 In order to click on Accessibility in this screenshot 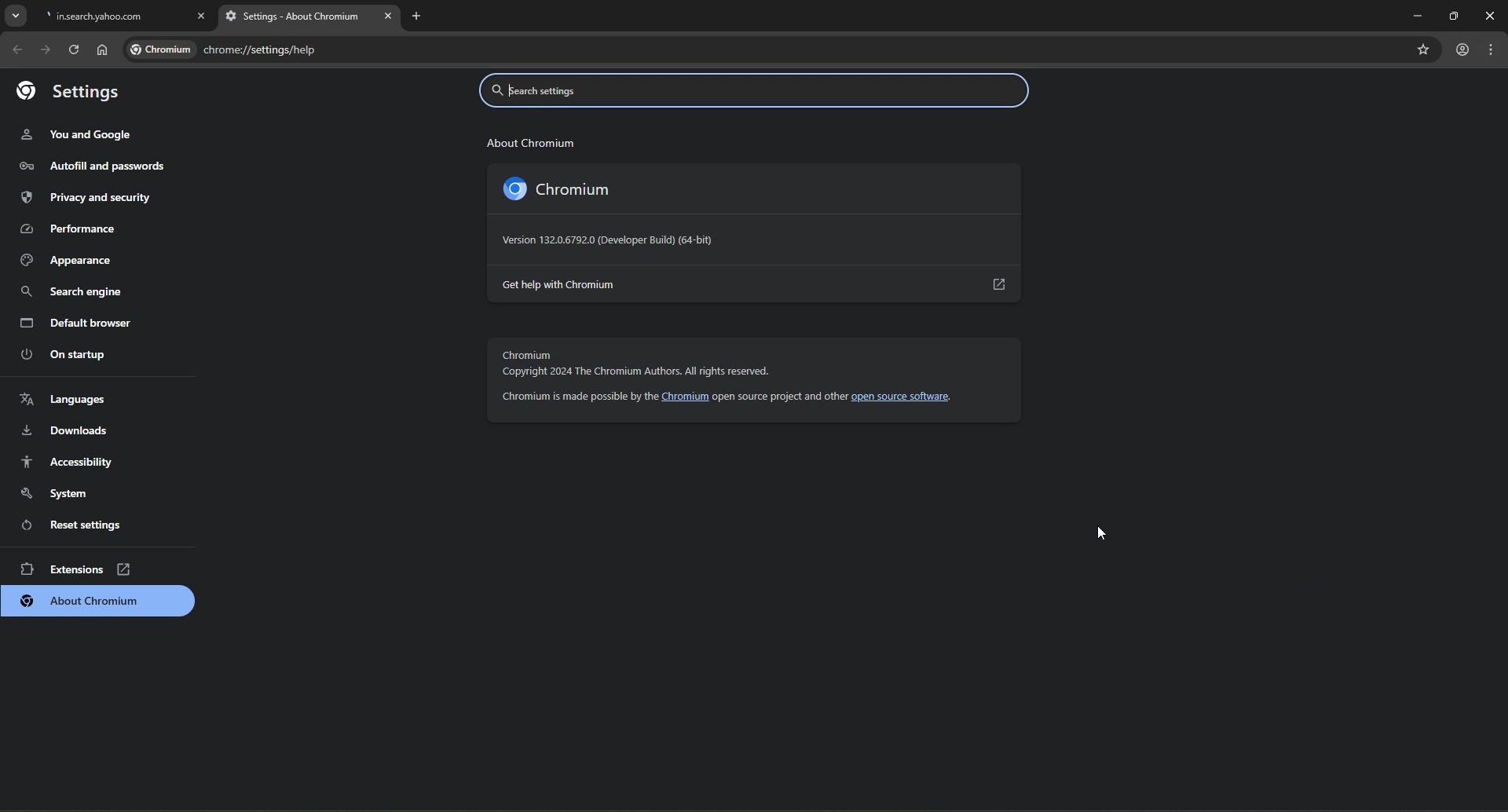, I will do `click(82, 461)`.